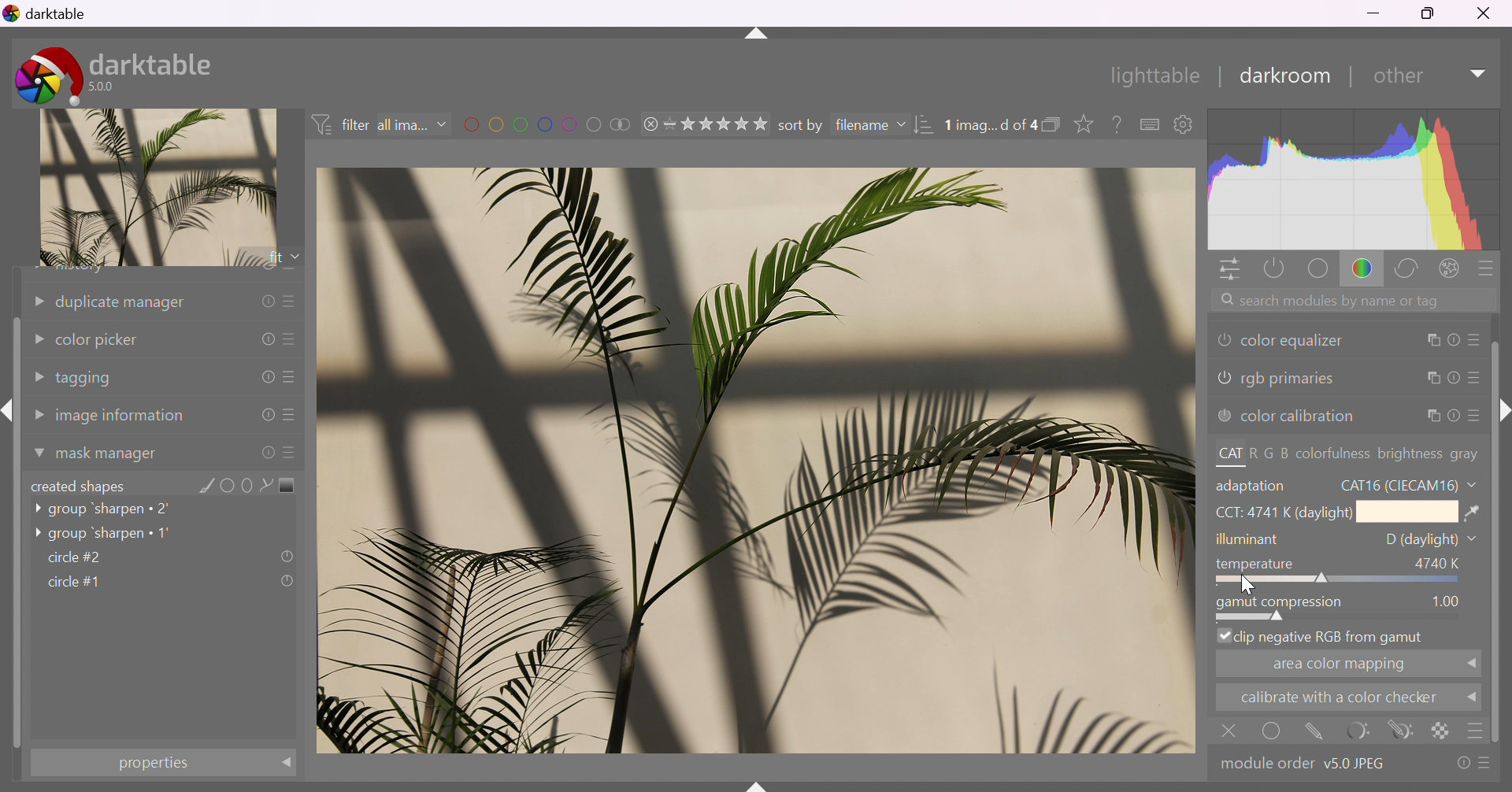  What do you see at coordinates (1270, 732) in the screenshot?
I see `select` at bounding box center [1270, 732].